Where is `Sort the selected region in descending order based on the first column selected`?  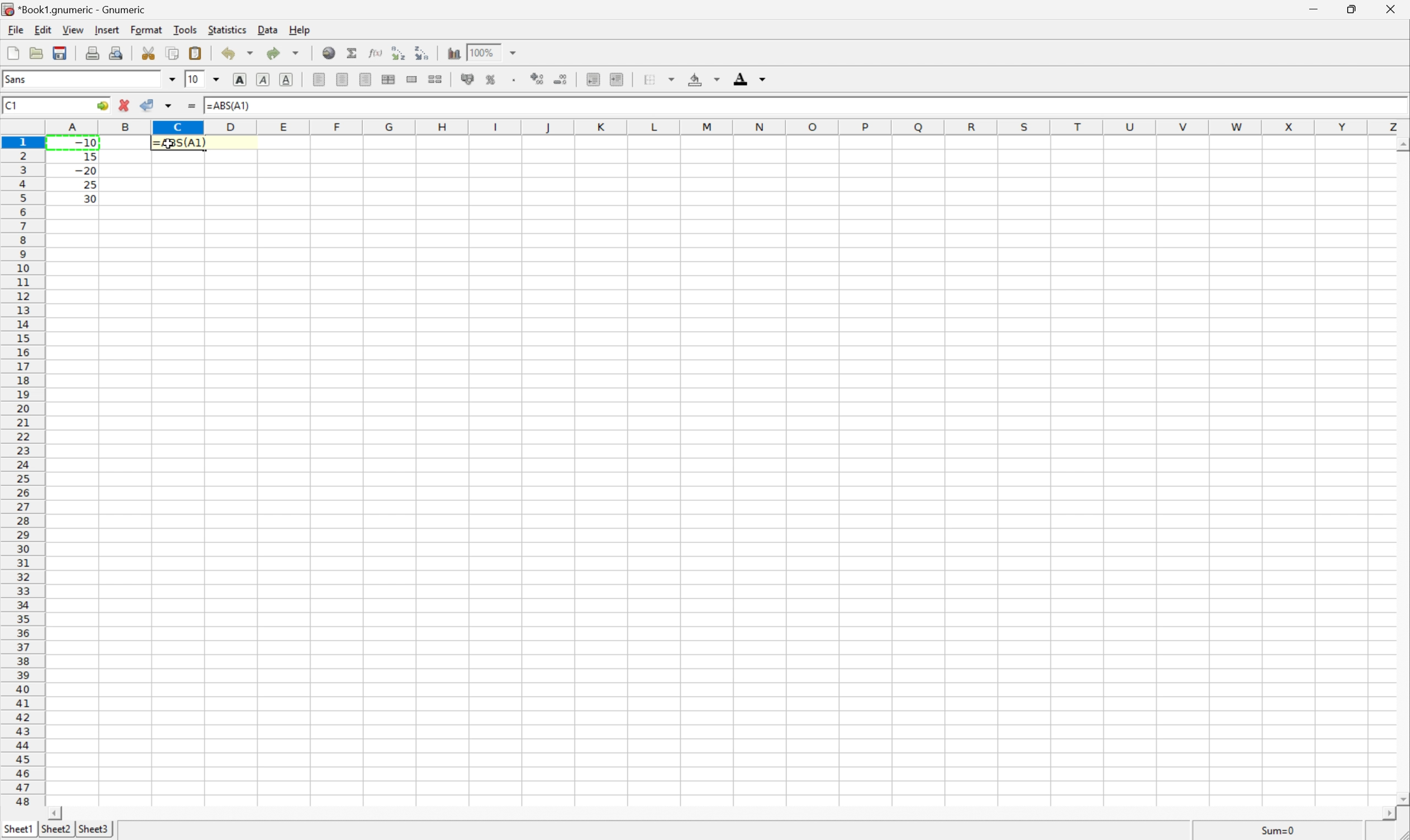 Sort the selected region in descending order based on the first column selected is located at coordinates (421, 52).